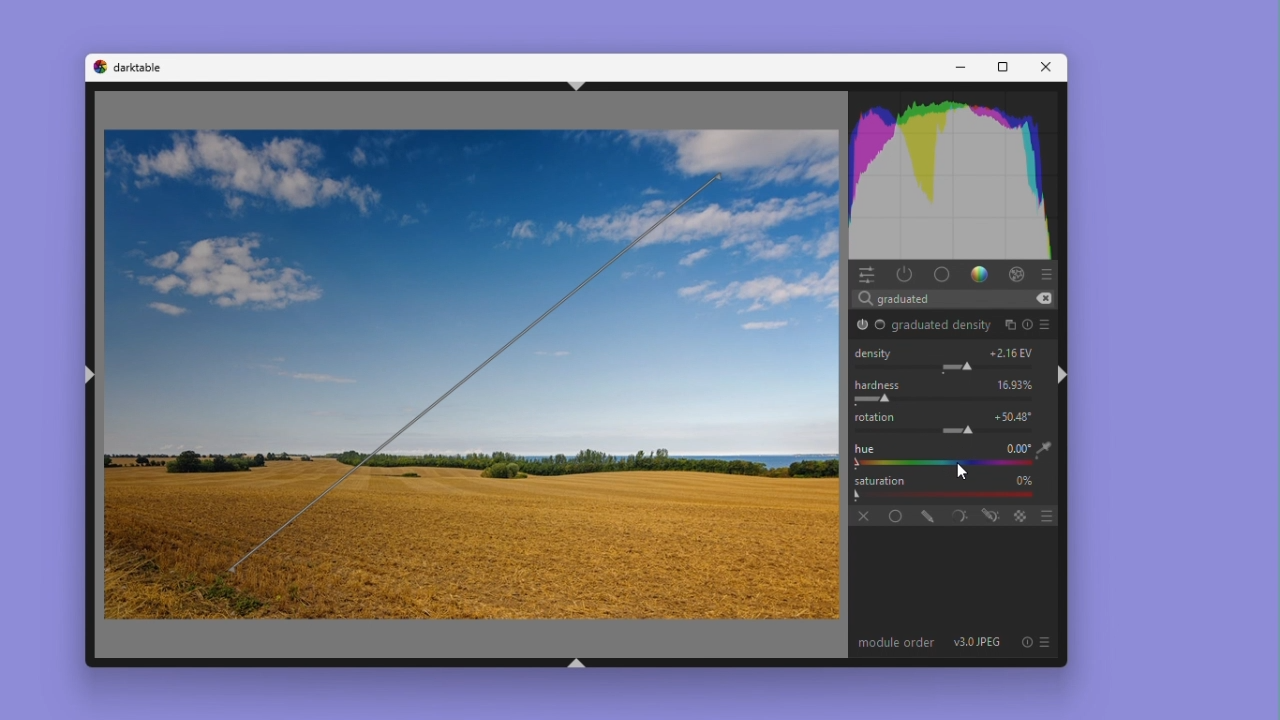 This screenshot has width=1280, height=720. What do you see at coordinates (1043, 67) in the screenshot?
I see `Close` at bounding box center [1043, 67].